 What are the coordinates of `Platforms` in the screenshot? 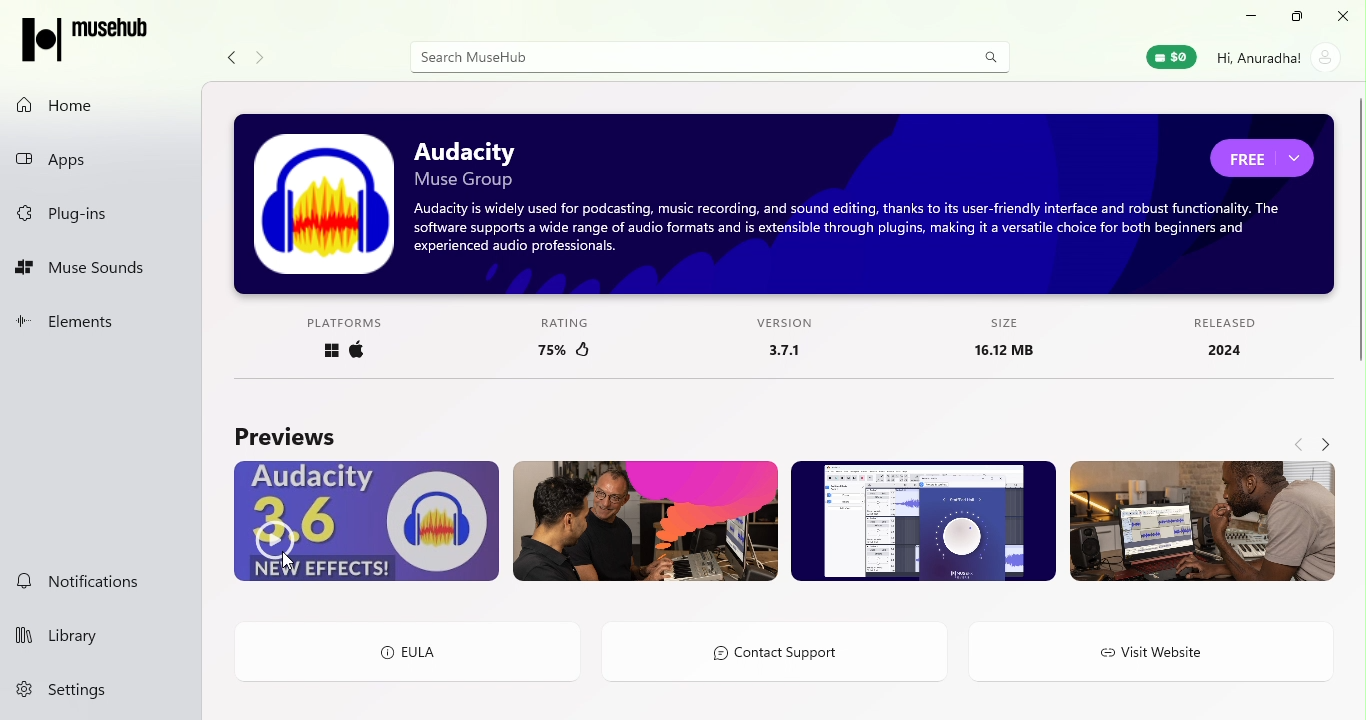 It's located at (353, 338).